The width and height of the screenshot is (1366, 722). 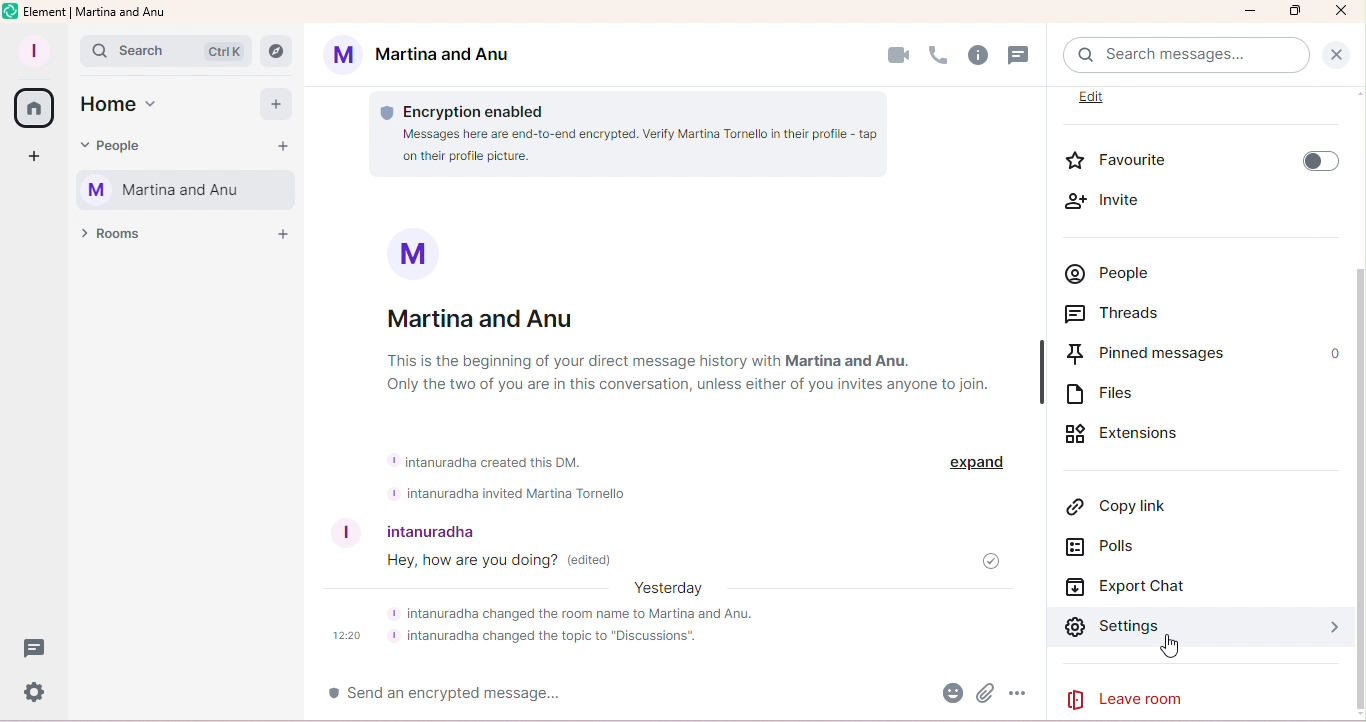 What do you see at coordinates (1178, 435) in the screenshot?
I see `Extensions` at bounding box center [1178, 435].